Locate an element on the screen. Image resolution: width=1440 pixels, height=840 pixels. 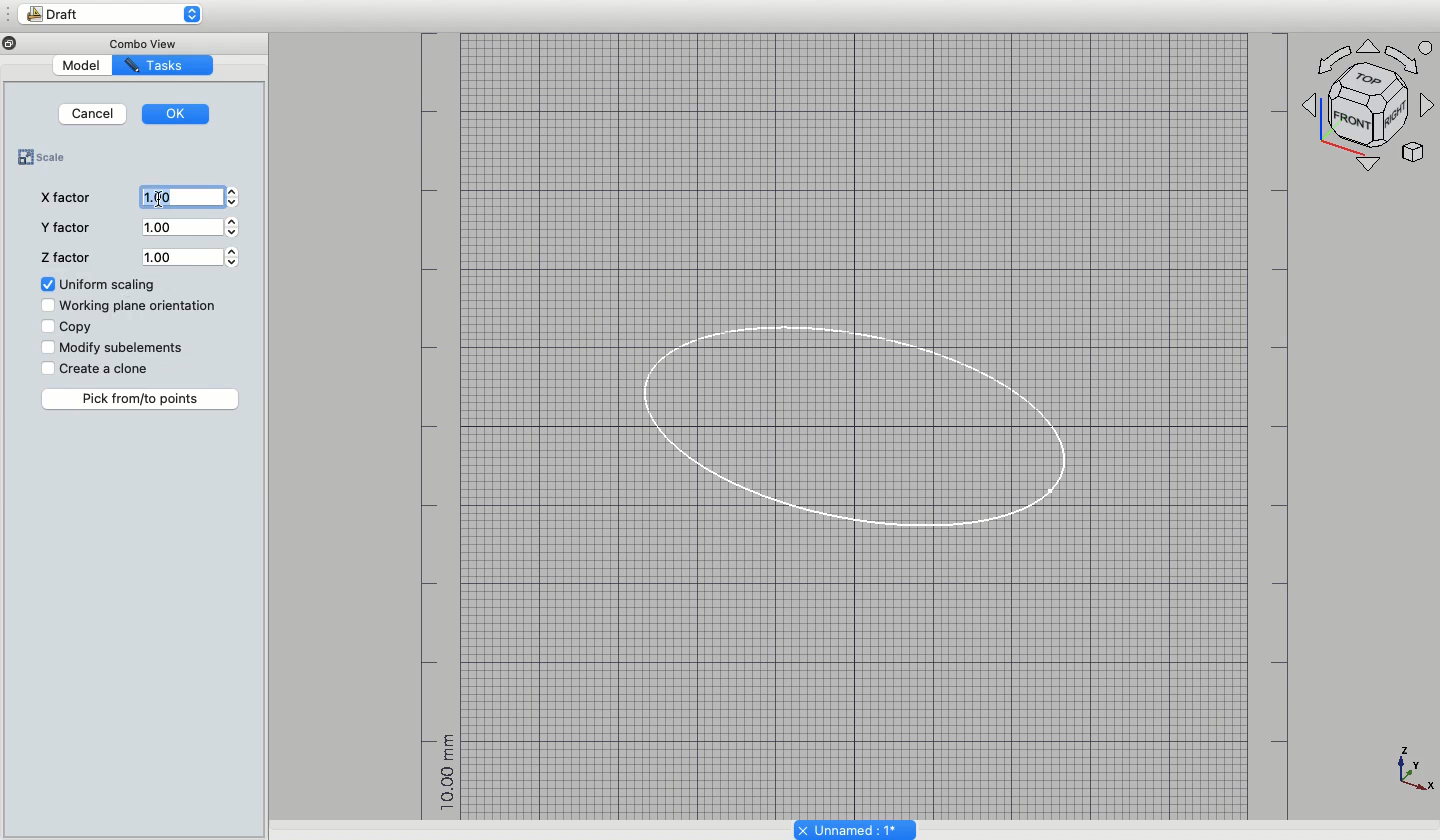
Cancel is located at coordinates (92, 114).